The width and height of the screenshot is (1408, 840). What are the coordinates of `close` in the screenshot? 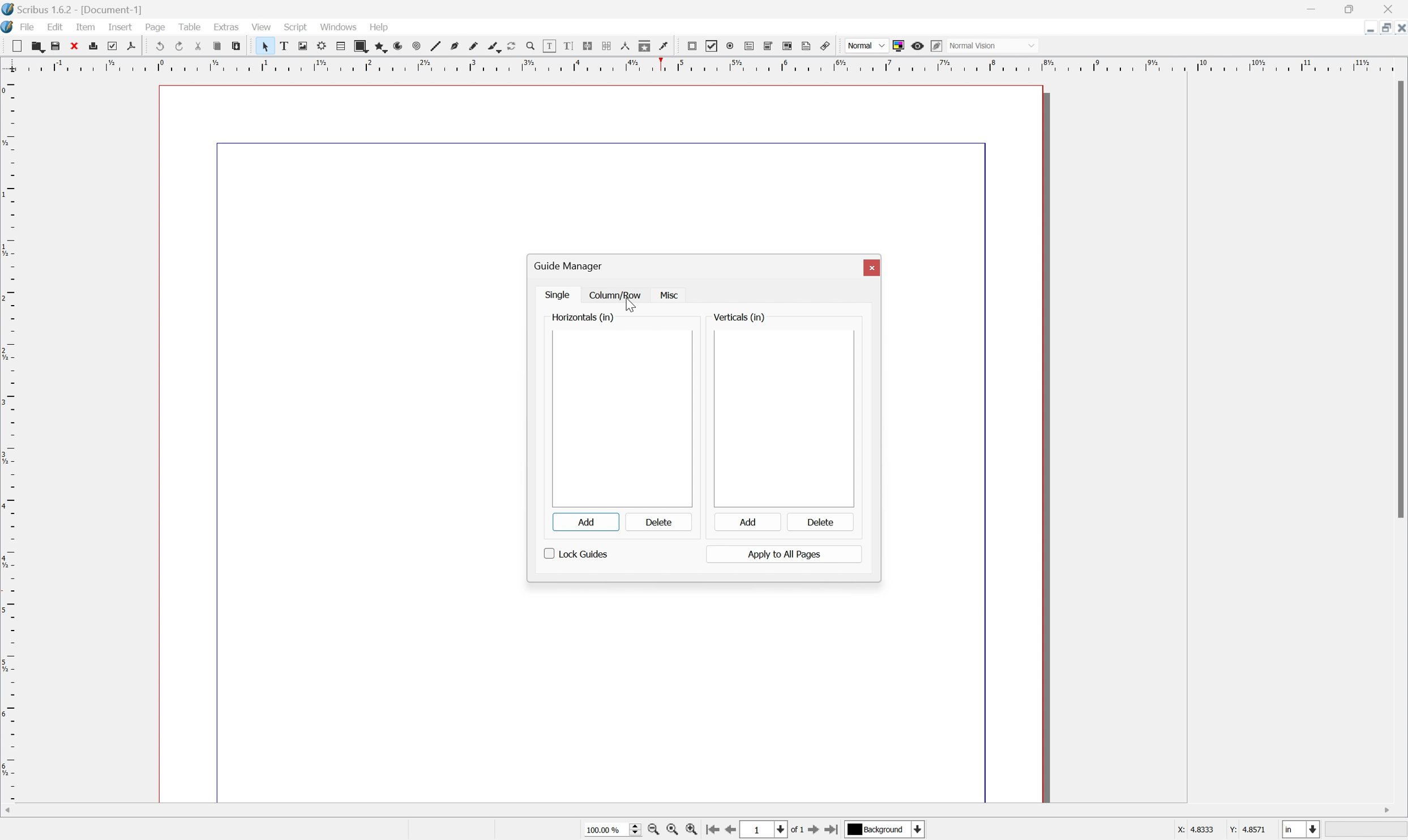 It's located at (76, 47).